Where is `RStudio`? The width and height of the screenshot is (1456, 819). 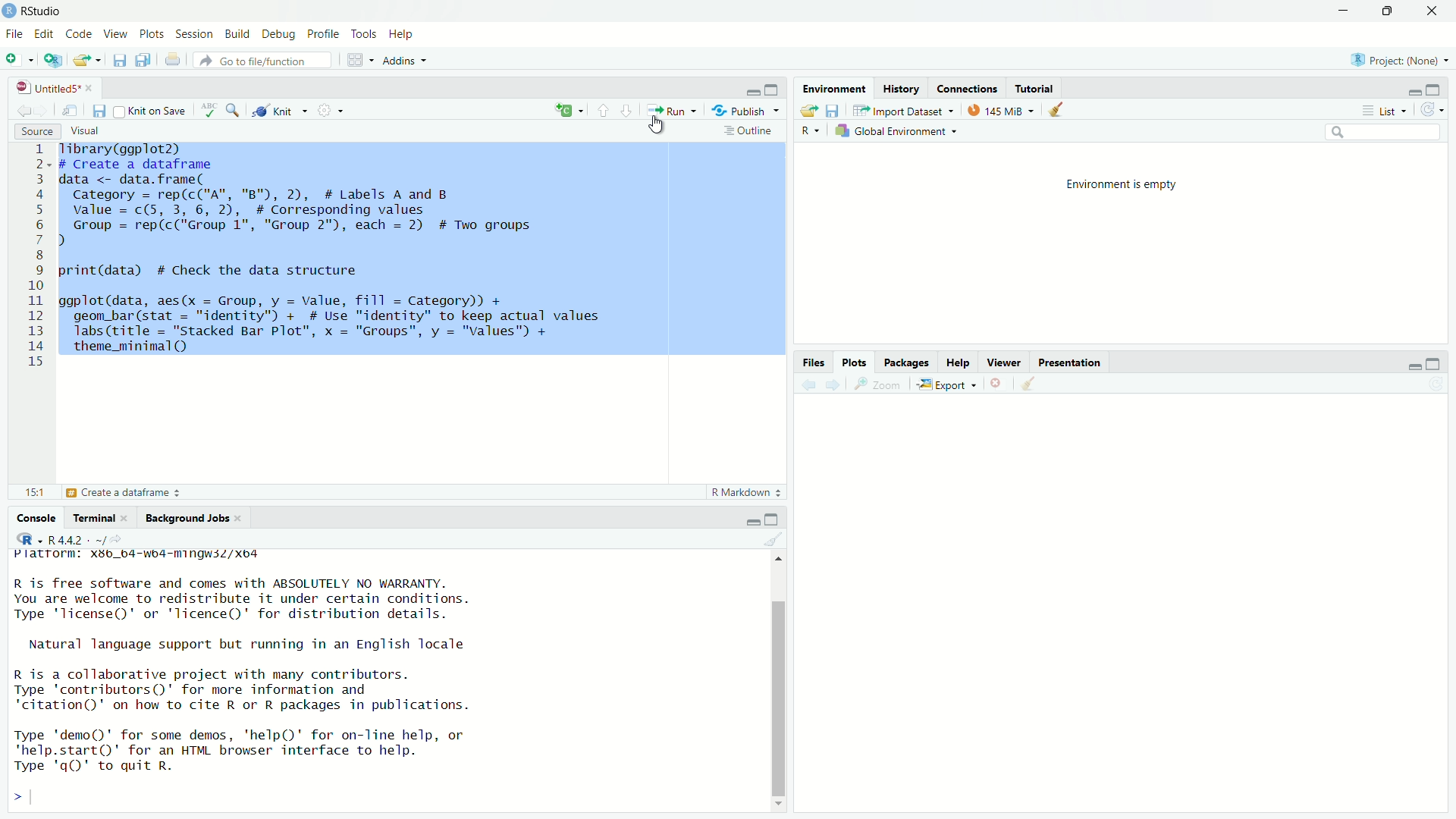
RStudio is located at coordinates (37, 10).